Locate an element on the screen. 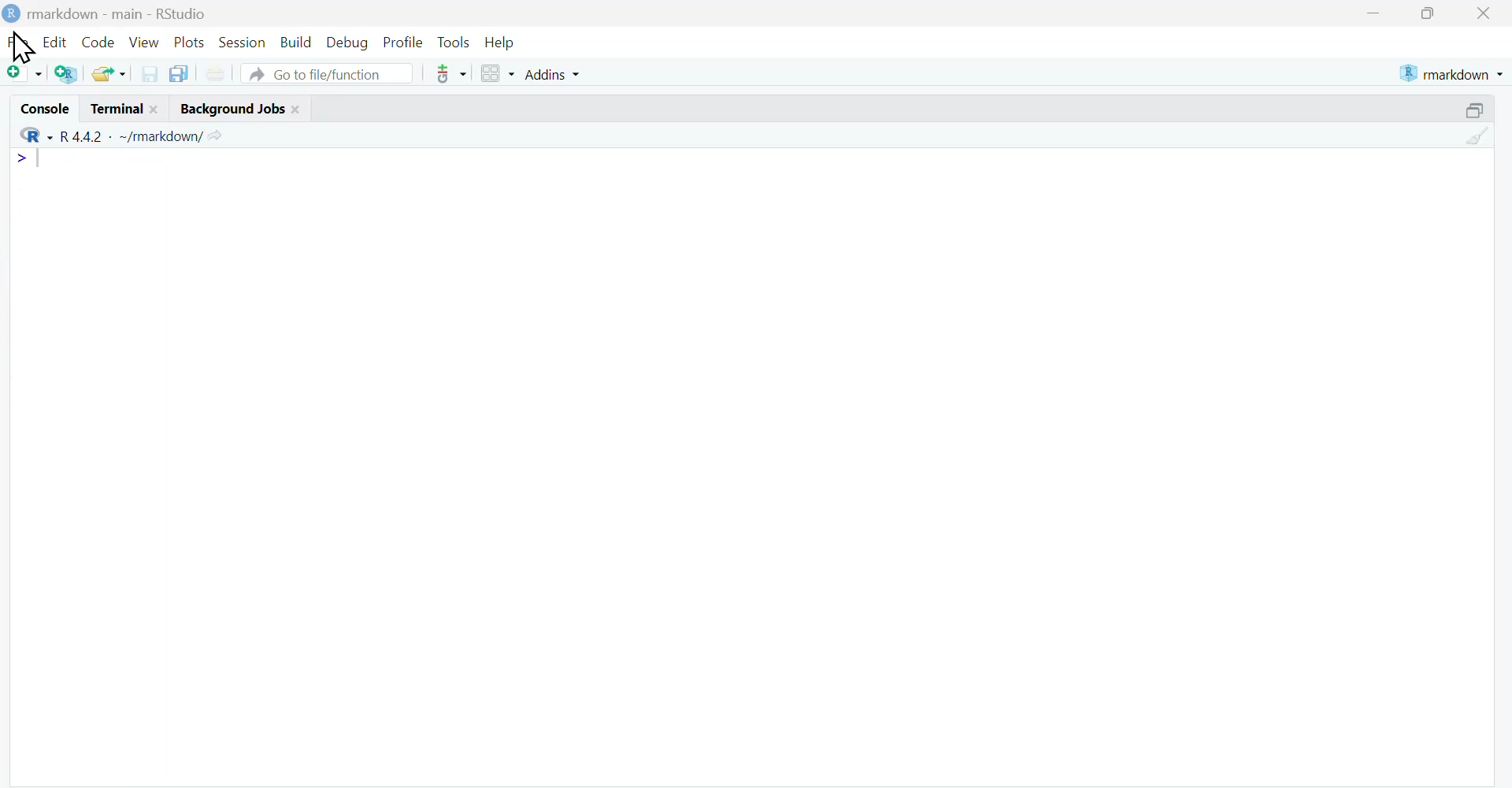  line 1 is located at coordinates (31, 158).